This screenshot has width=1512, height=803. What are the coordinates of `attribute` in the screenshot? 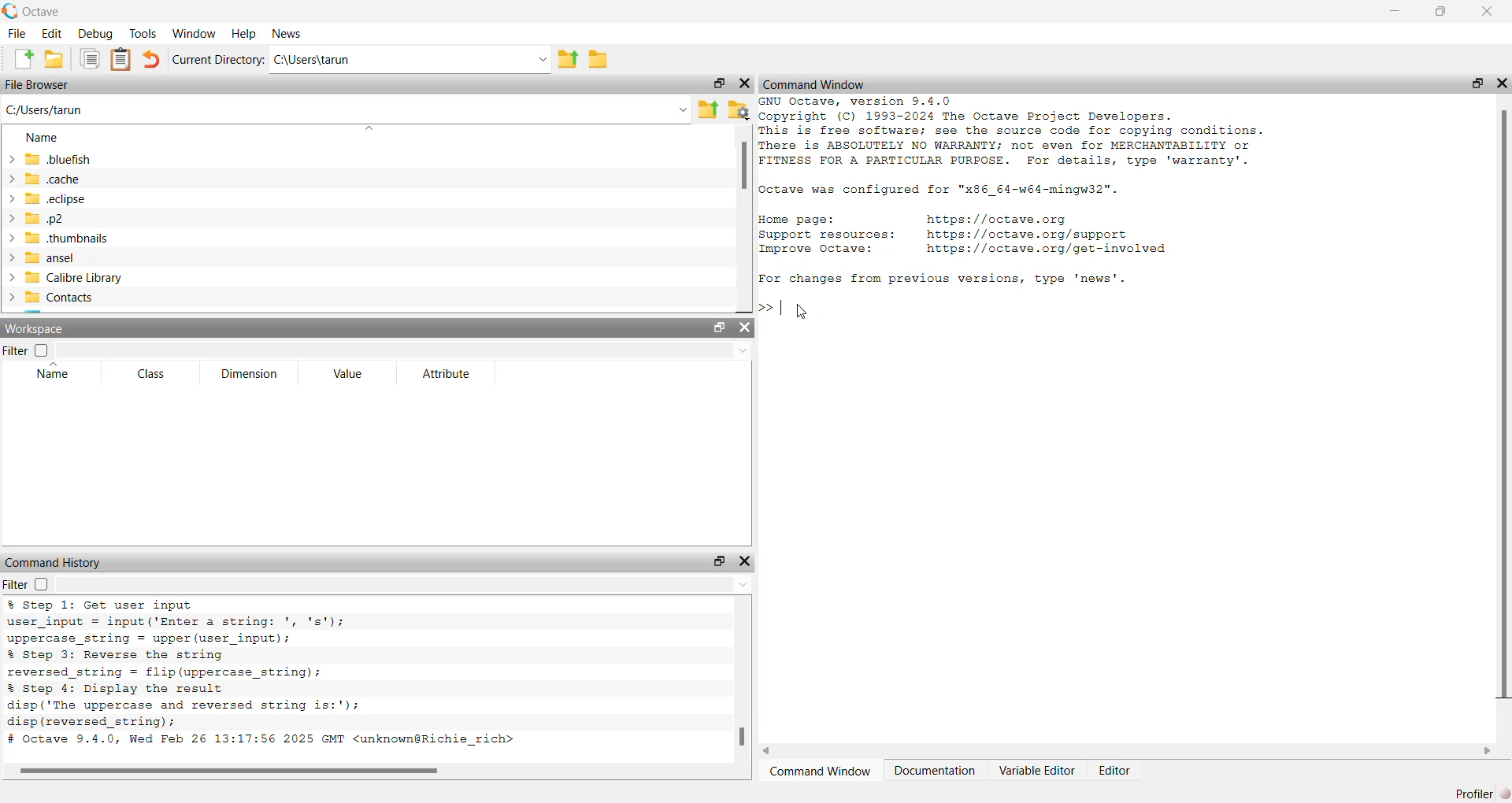 It's located at (447, 375).